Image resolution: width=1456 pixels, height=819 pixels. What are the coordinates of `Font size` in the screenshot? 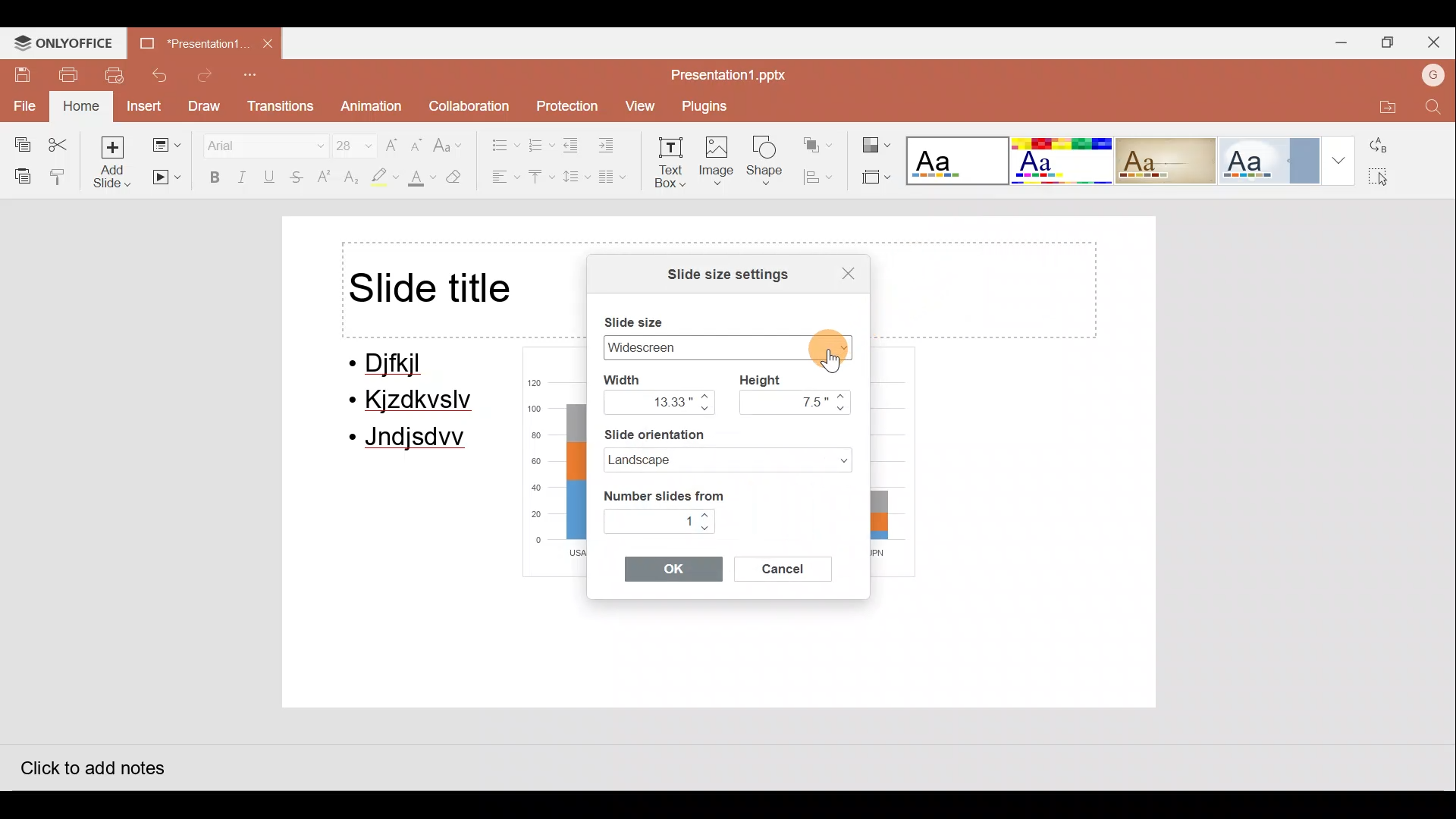 It's located at (346, 142).